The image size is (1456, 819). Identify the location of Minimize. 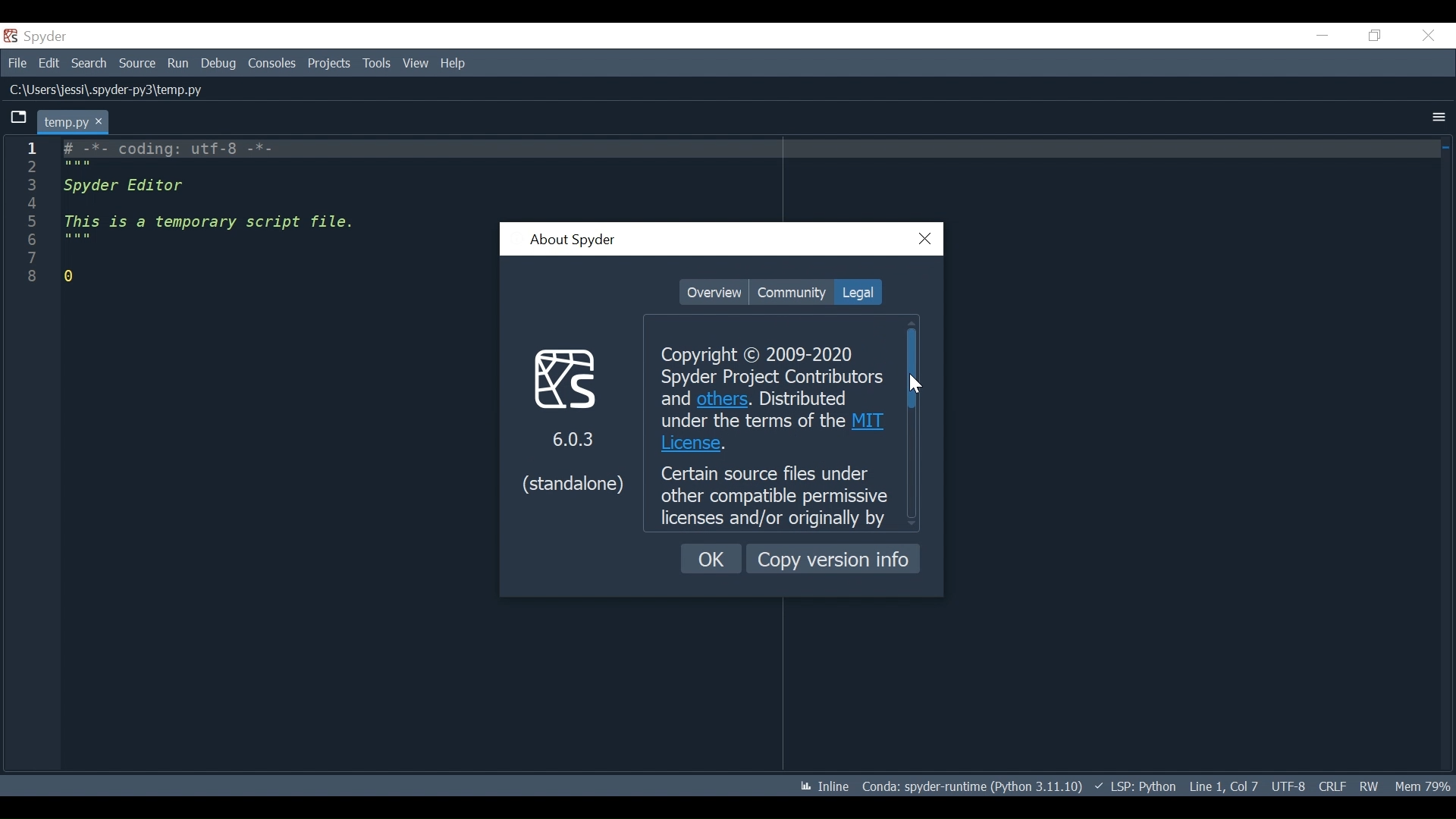
(1322, 35).